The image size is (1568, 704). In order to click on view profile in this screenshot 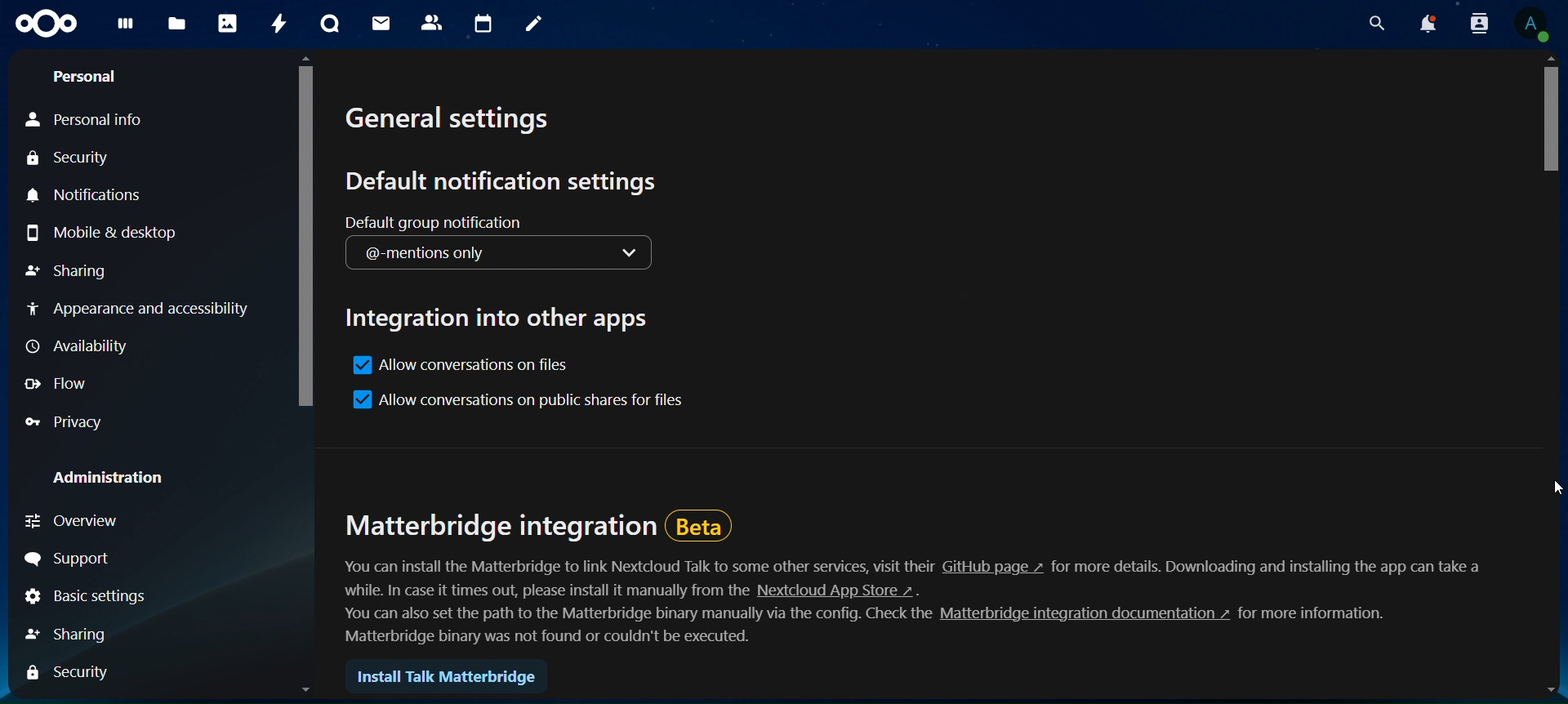, I will do `click(1530, 24)`.